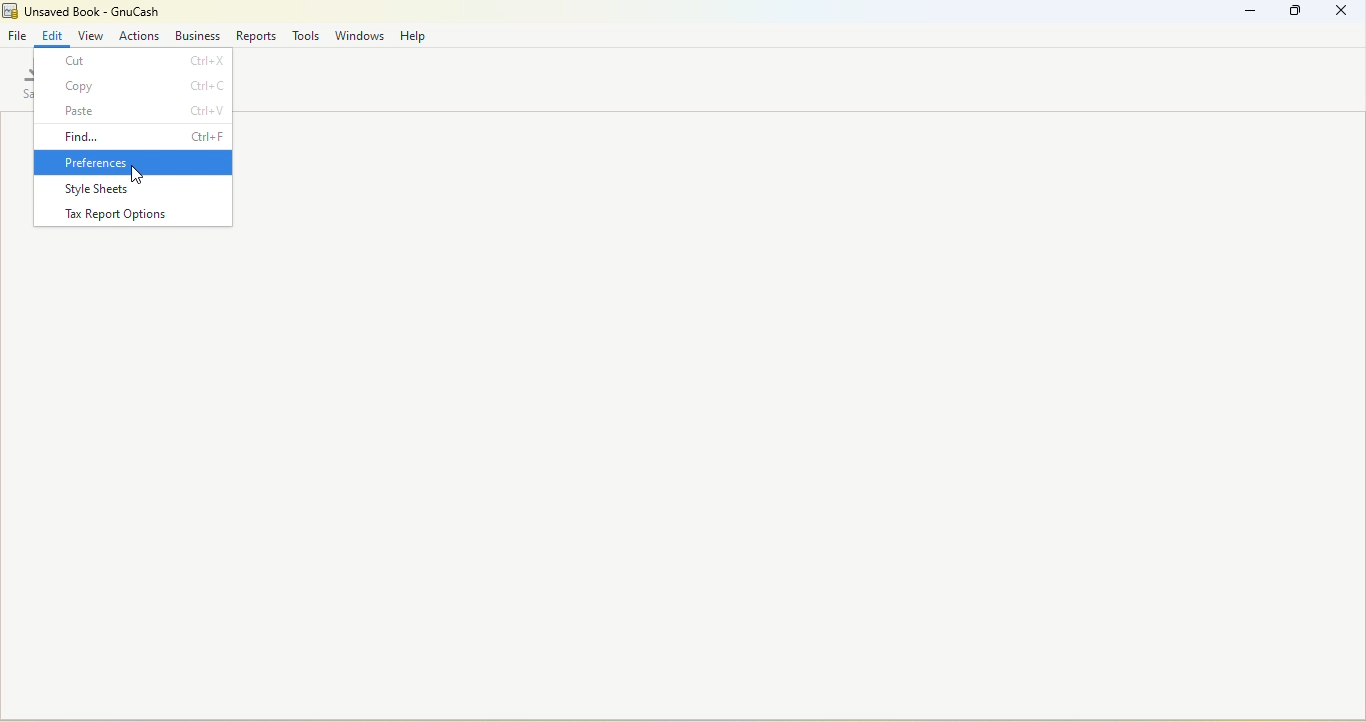 The width and height of the screenshot is (1366, 722). What do you see at coordinates (53, 33) in the screenshot?
I see `Edit` at bounding box center [53, 33].